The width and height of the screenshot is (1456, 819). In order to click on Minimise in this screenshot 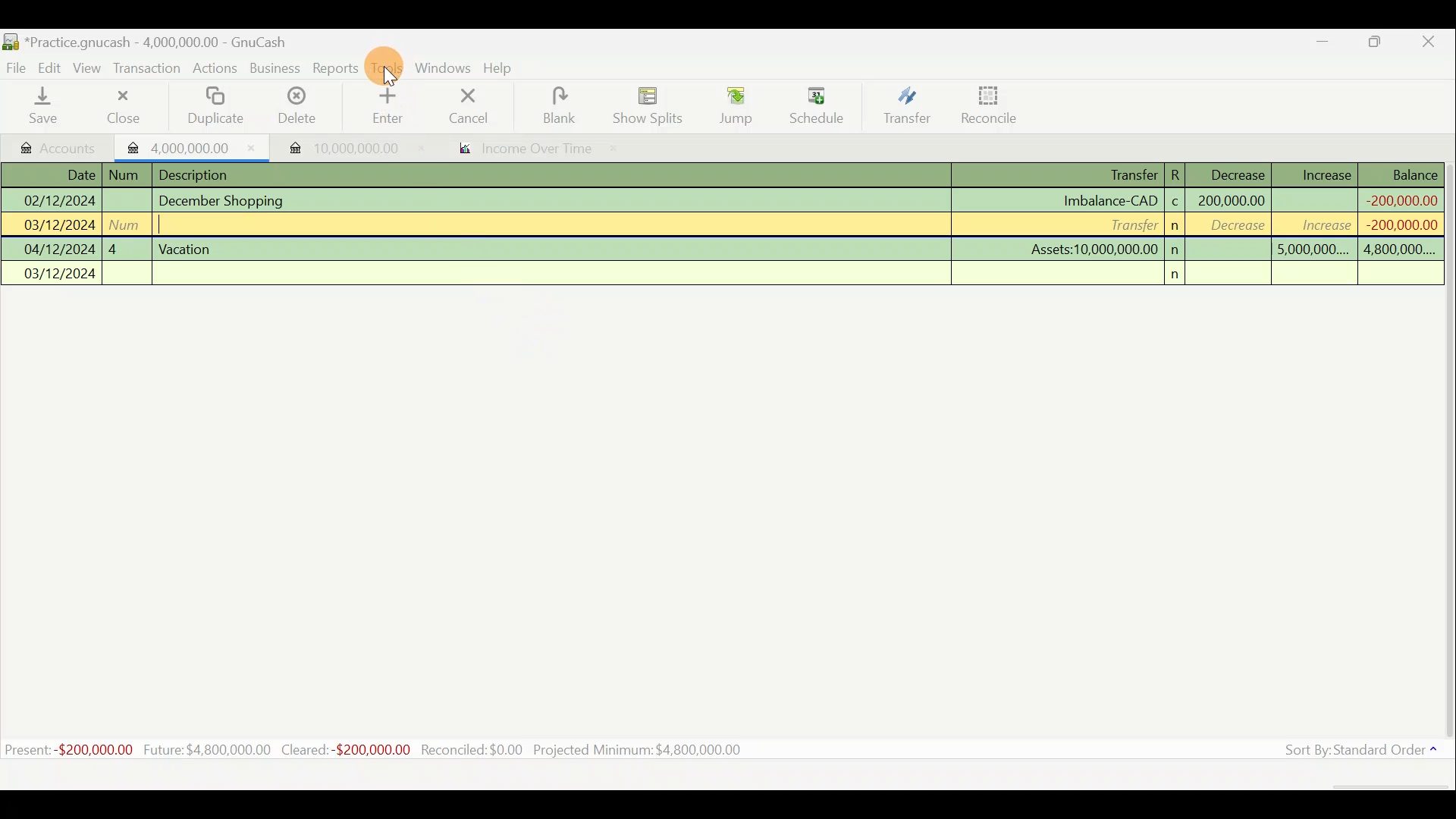, I will do `click(1325, 45)`.